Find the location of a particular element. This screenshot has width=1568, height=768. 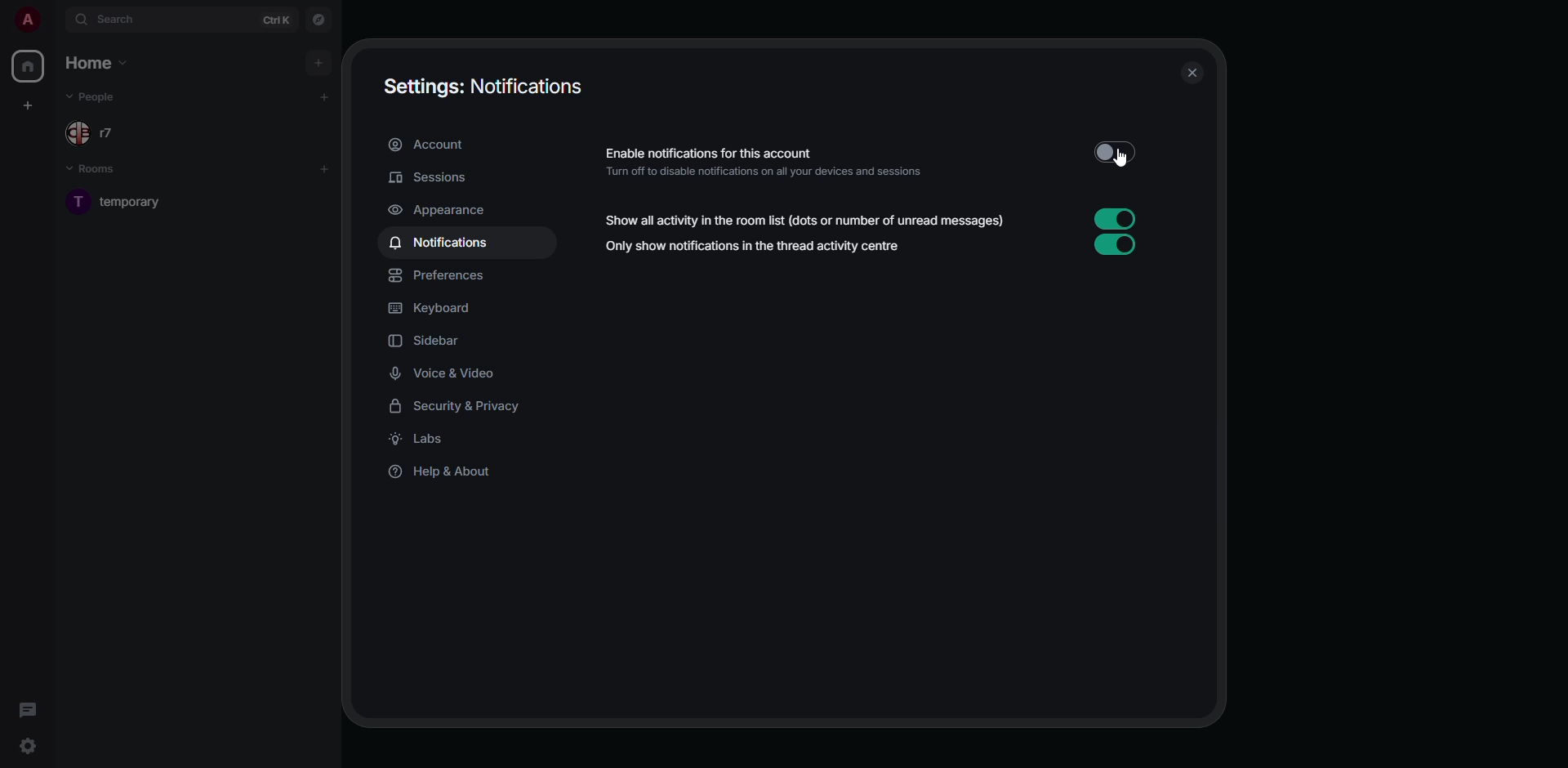

create space is located at coordinates (25, 105).